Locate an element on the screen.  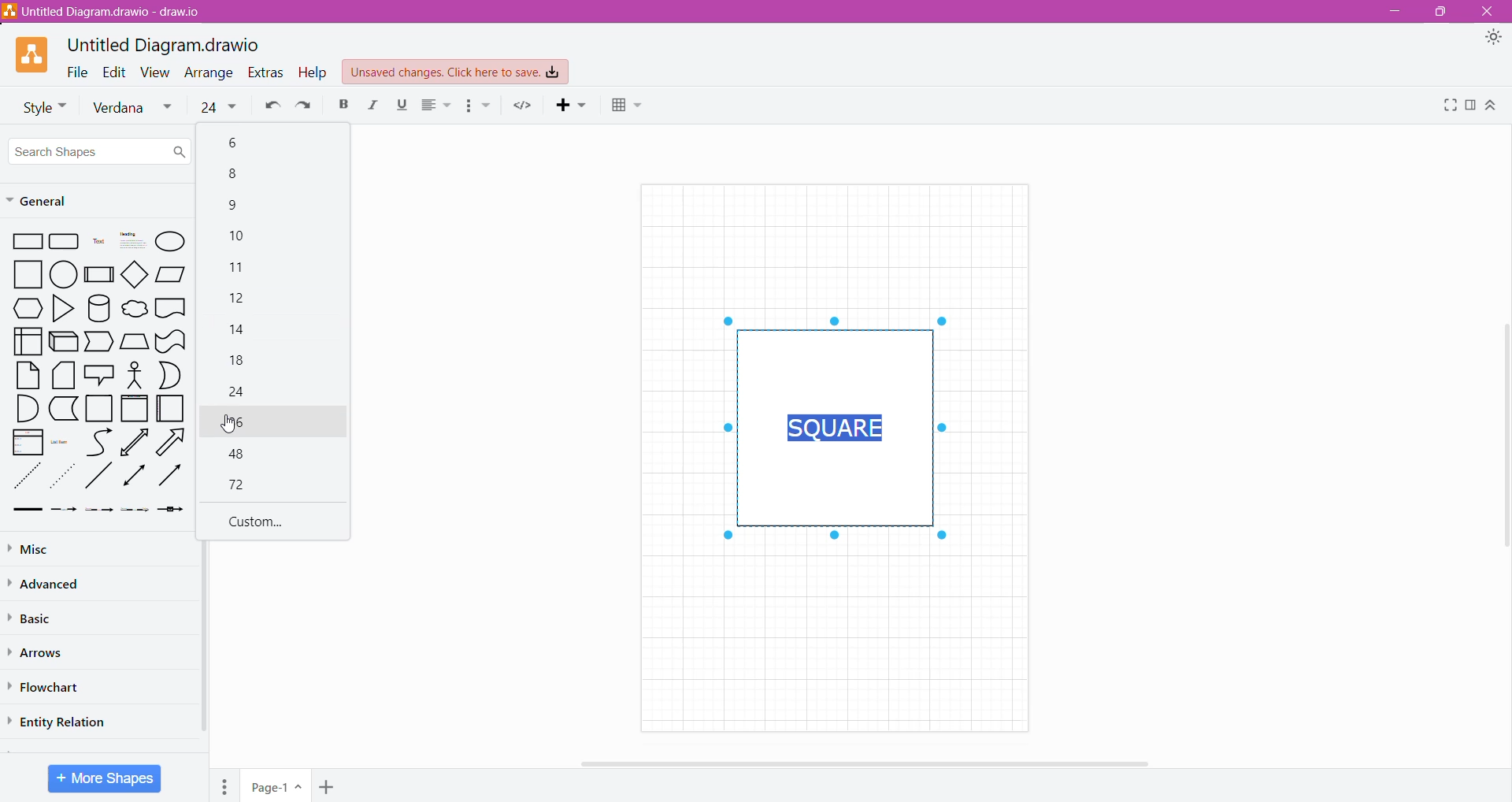
Verdana is located at coordinates (132, 109).